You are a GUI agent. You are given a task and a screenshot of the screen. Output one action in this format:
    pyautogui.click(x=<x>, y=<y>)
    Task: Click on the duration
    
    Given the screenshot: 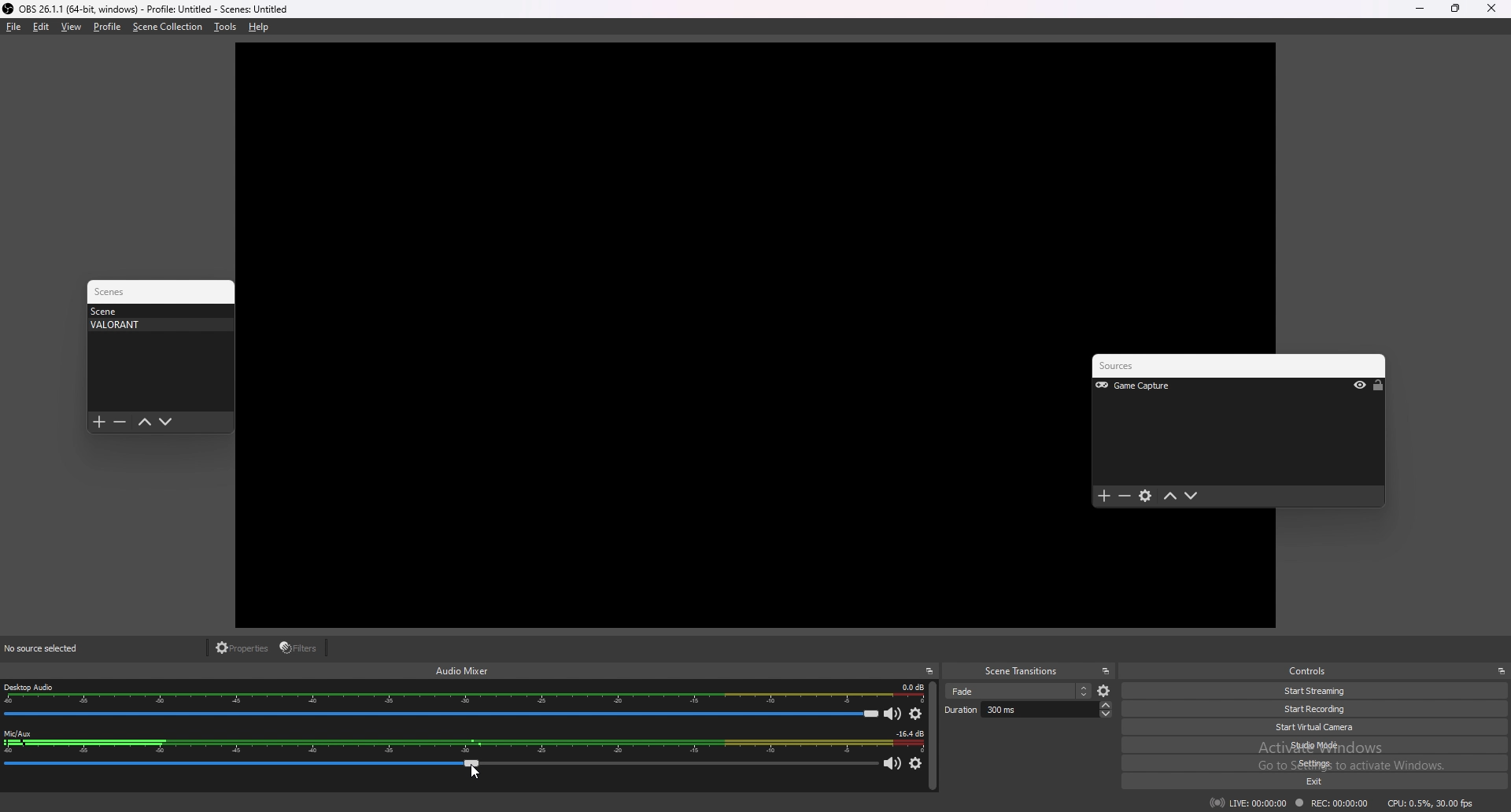 What is the action you would take?
    pyautogui.click(x=1028, y=709)
    